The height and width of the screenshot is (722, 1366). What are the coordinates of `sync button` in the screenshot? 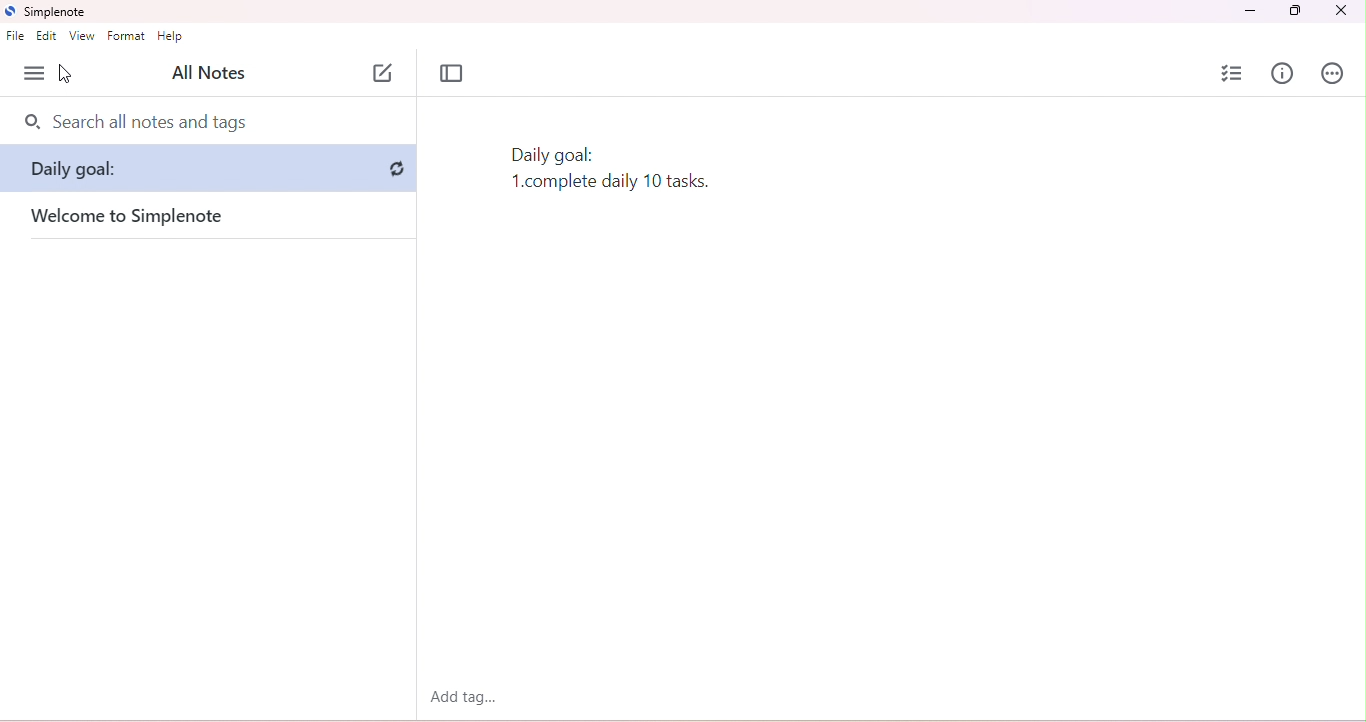 It's located at (396, 170).